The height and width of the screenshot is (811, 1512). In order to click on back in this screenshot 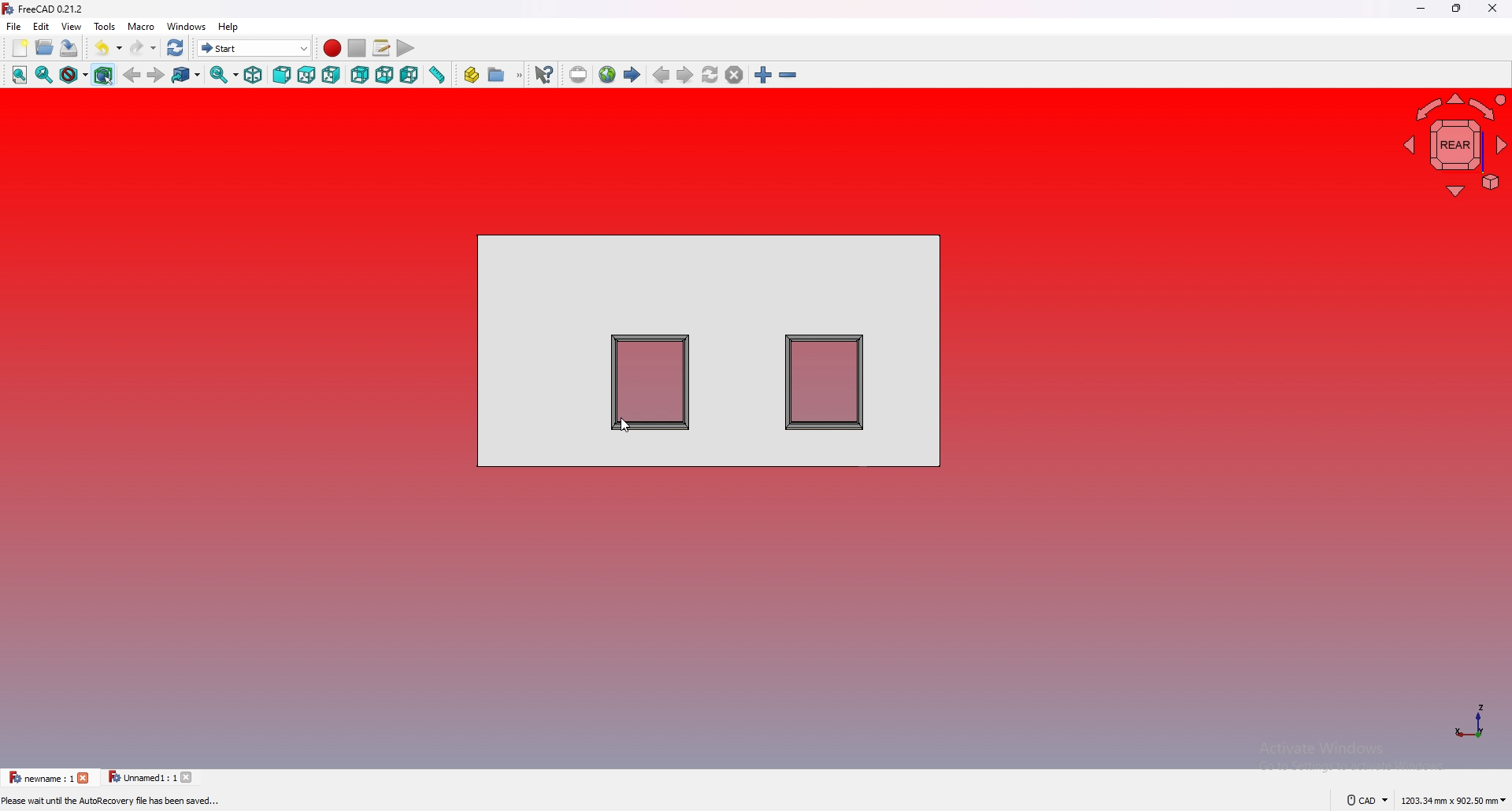, I will do `click(132, 76)`.